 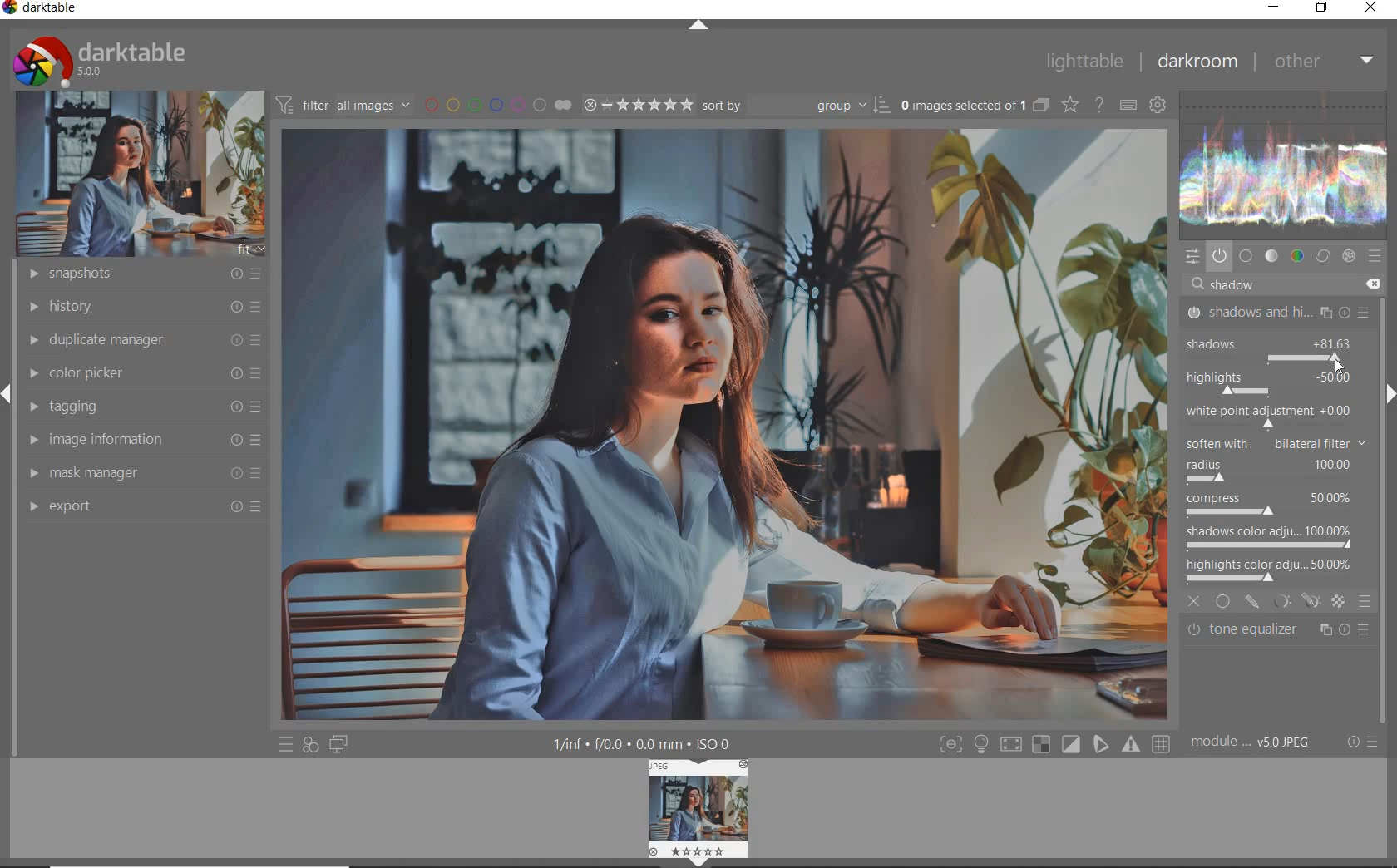 What do you see at coordinates (286, 744) in the screenshot?
I see `quick access to presets` at bounding box center [286, 744].